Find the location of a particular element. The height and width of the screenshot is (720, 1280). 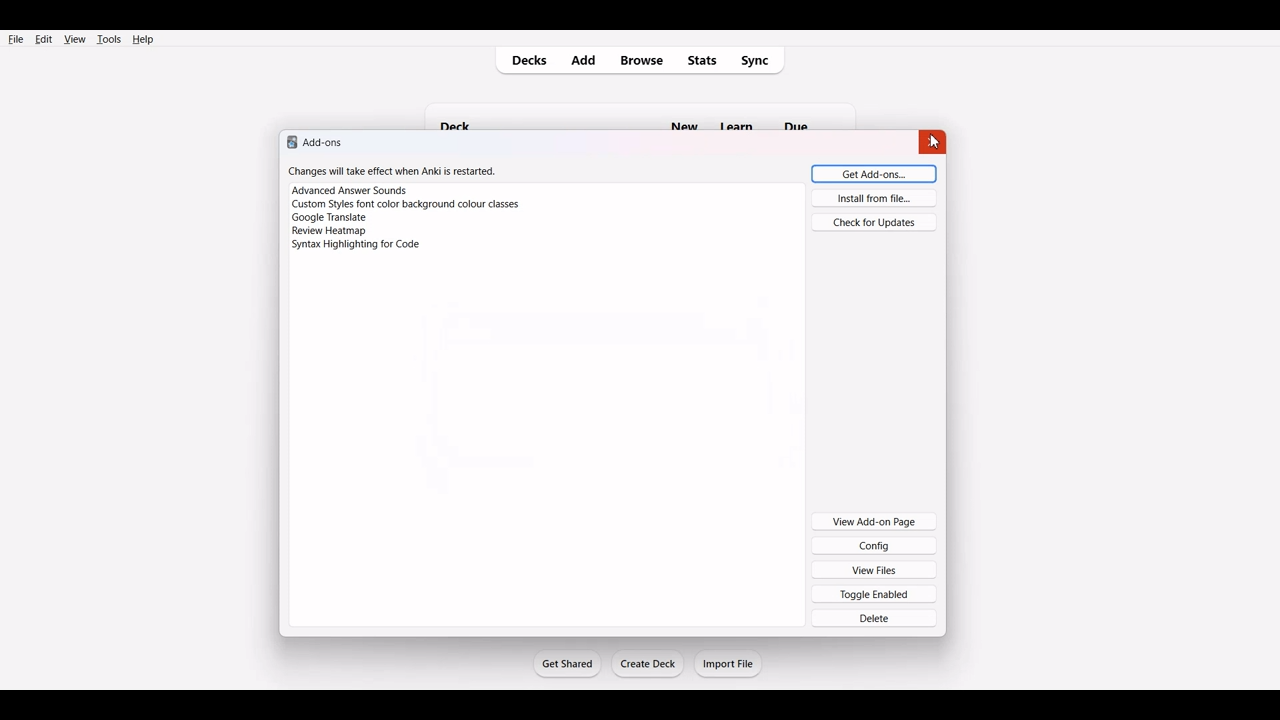

Help is located at coordinates (142, 39).